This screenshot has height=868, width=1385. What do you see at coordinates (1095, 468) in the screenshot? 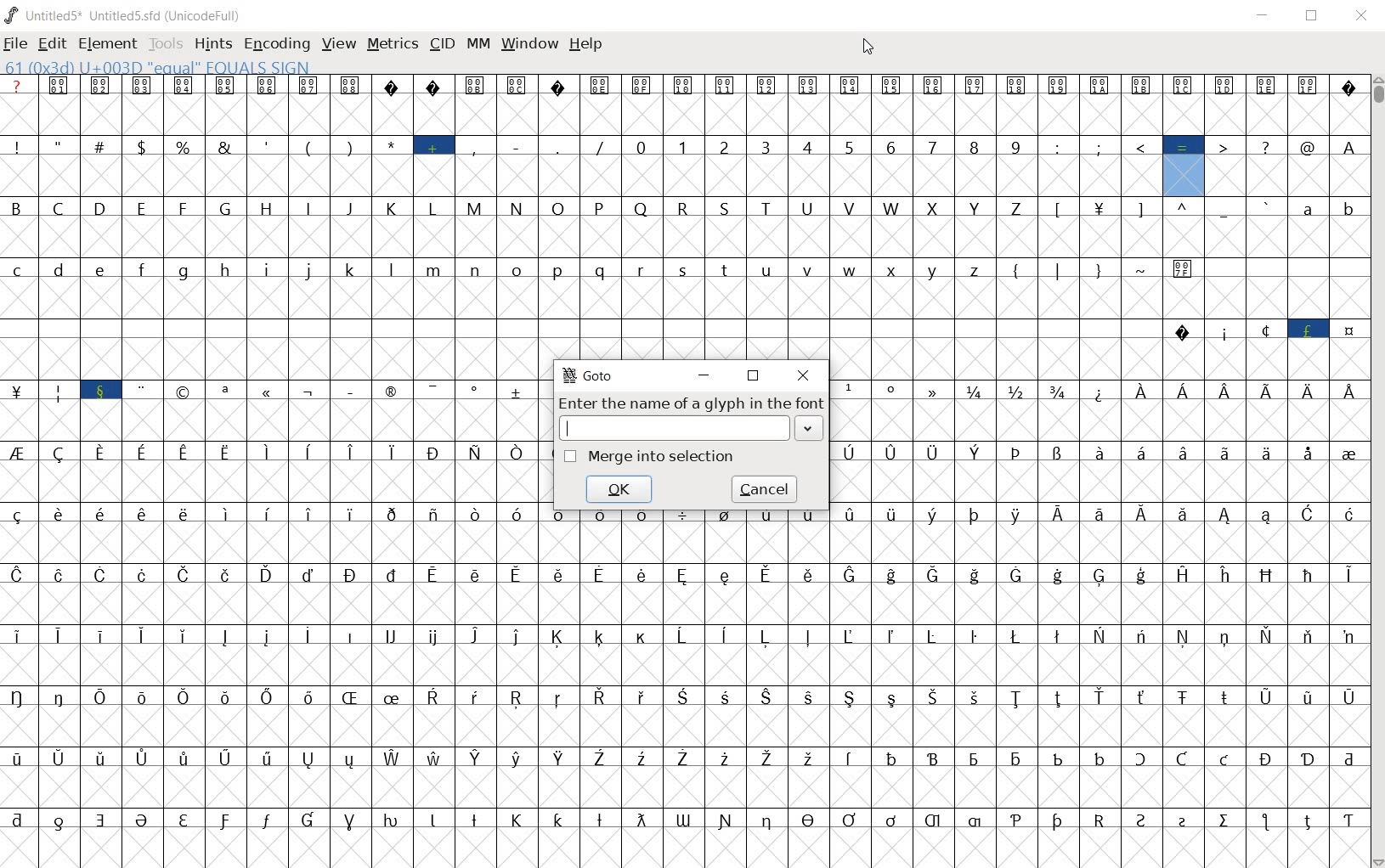
I see `glyph characters` at bounding box center [1095, 468].